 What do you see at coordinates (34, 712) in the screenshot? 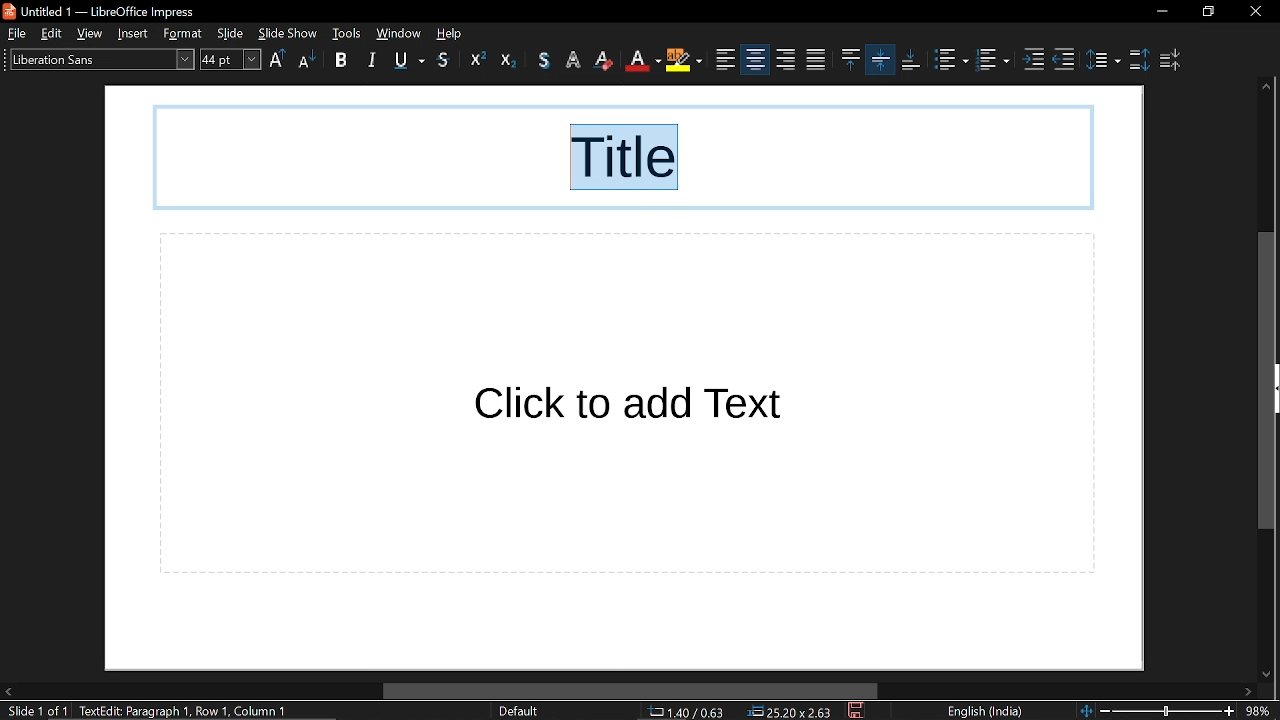
I see `slide 1 of 1` at bounding box center [34, 712].